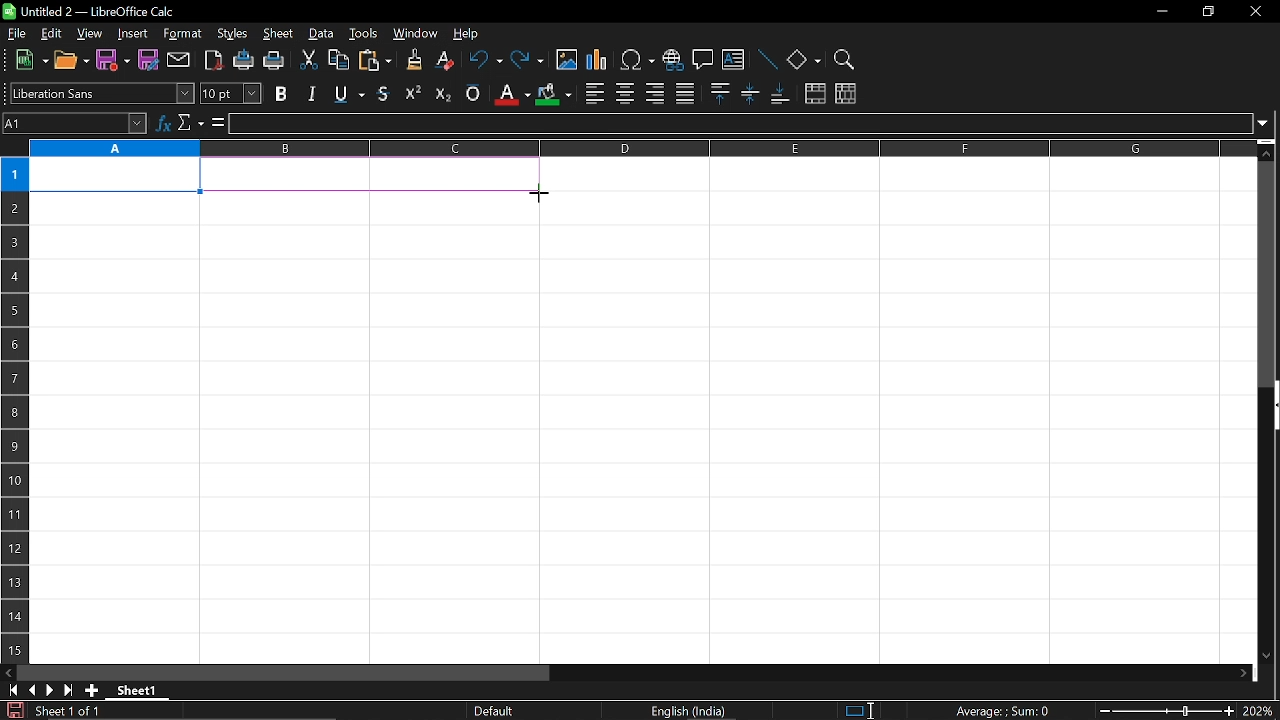  What do you see at coordinates (484, 61) in the screenshot?
I see `undo` at bounding box center [484, 61].